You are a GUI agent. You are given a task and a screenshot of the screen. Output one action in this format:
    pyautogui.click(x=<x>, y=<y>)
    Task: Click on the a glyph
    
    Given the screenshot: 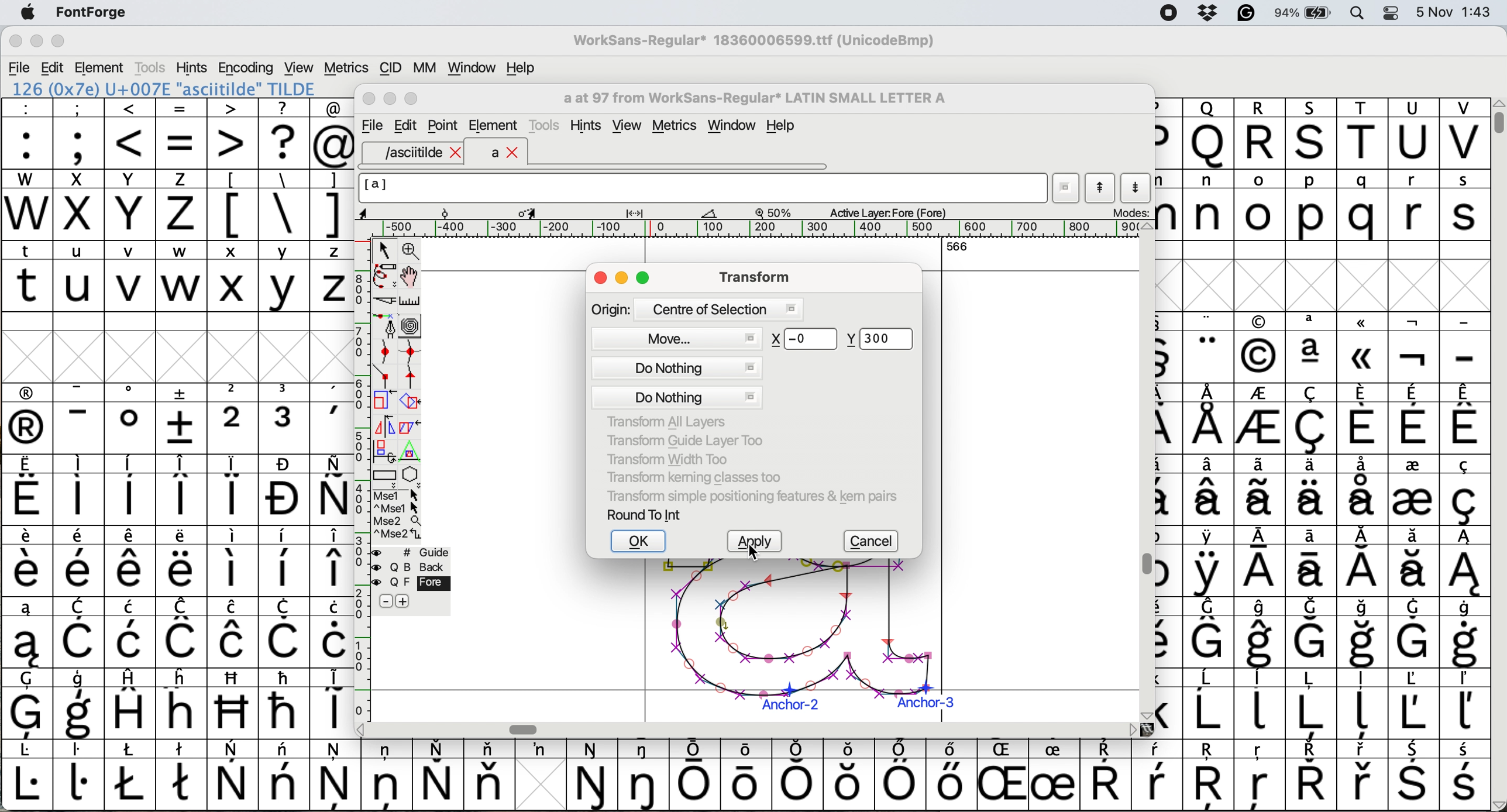 What is the action you would take?
    pyautogui.click(x=798, y=640)
    